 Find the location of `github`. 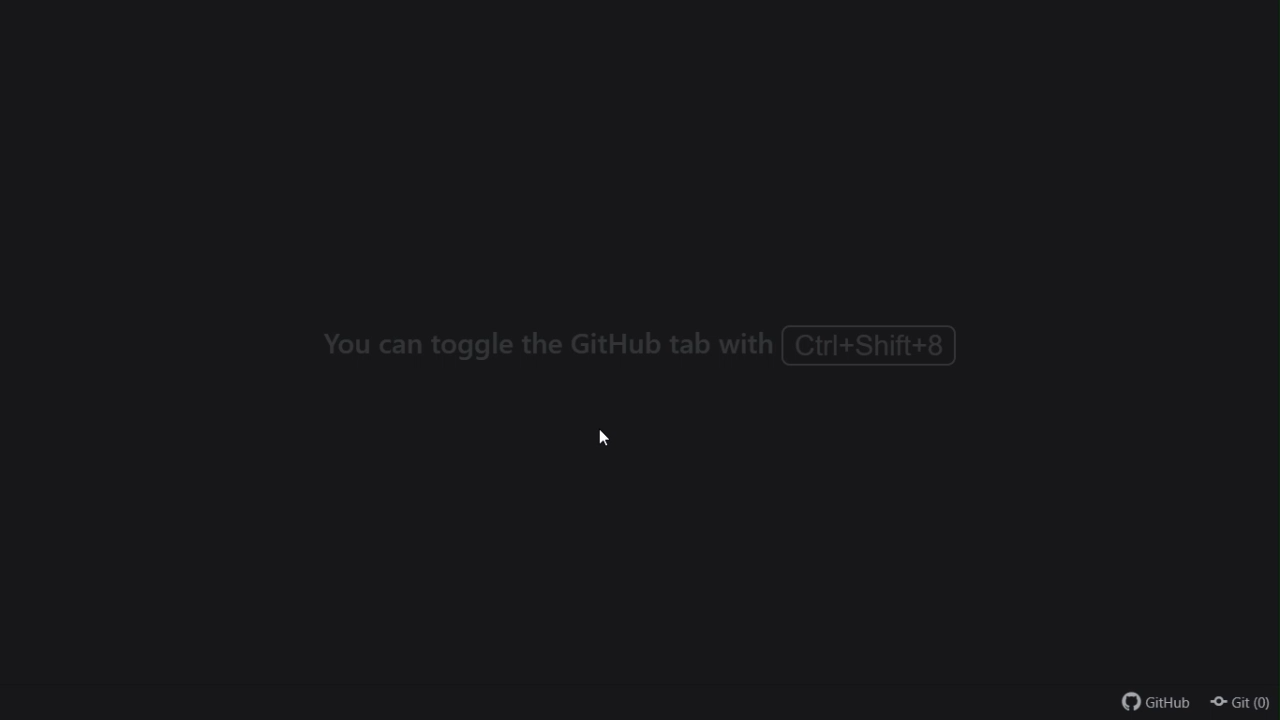

github is located at coordinates (1151, 701).